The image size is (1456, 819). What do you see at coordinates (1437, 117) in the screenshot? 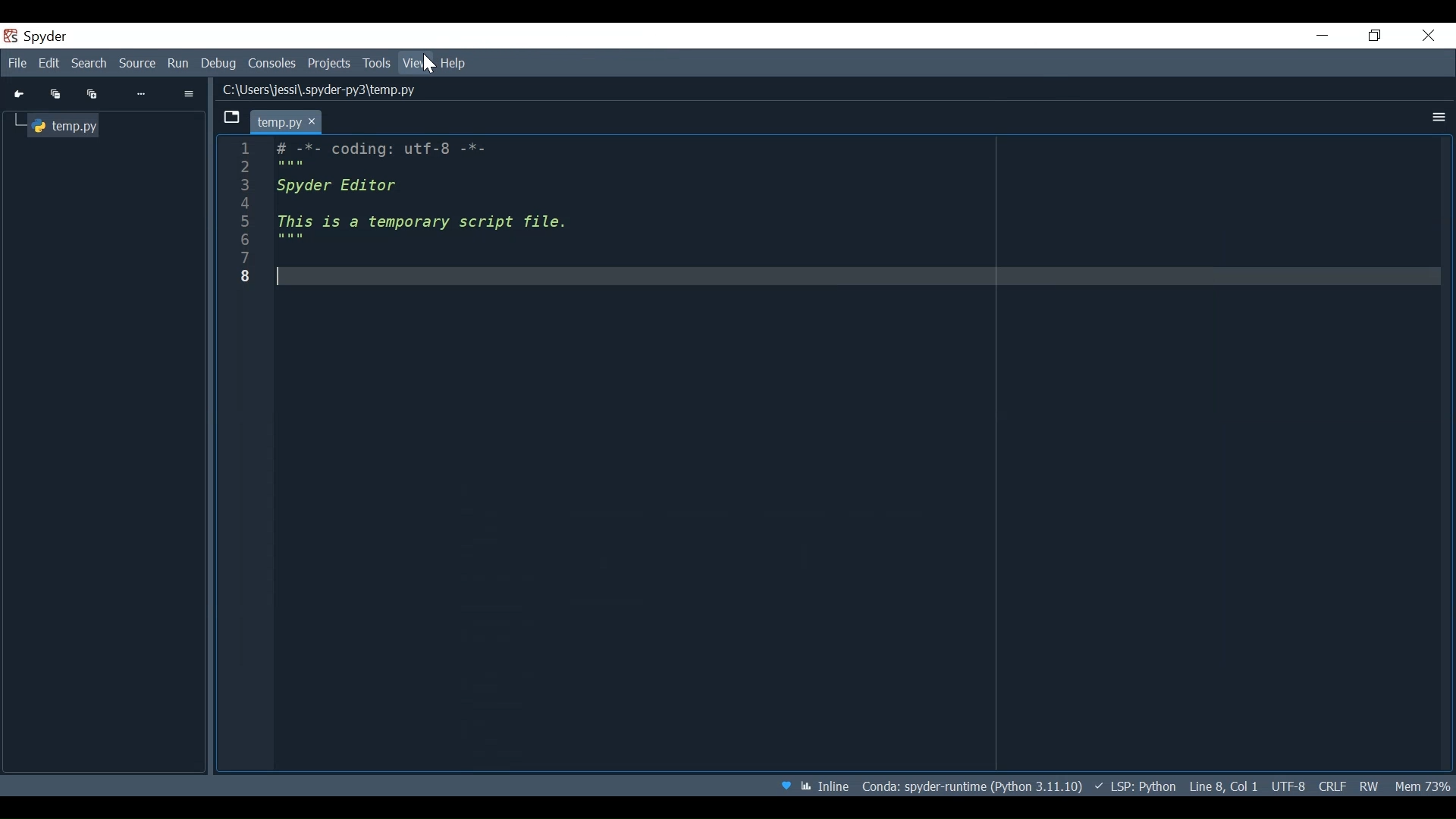
I see `More Options` at bounding box center [1437, 117].